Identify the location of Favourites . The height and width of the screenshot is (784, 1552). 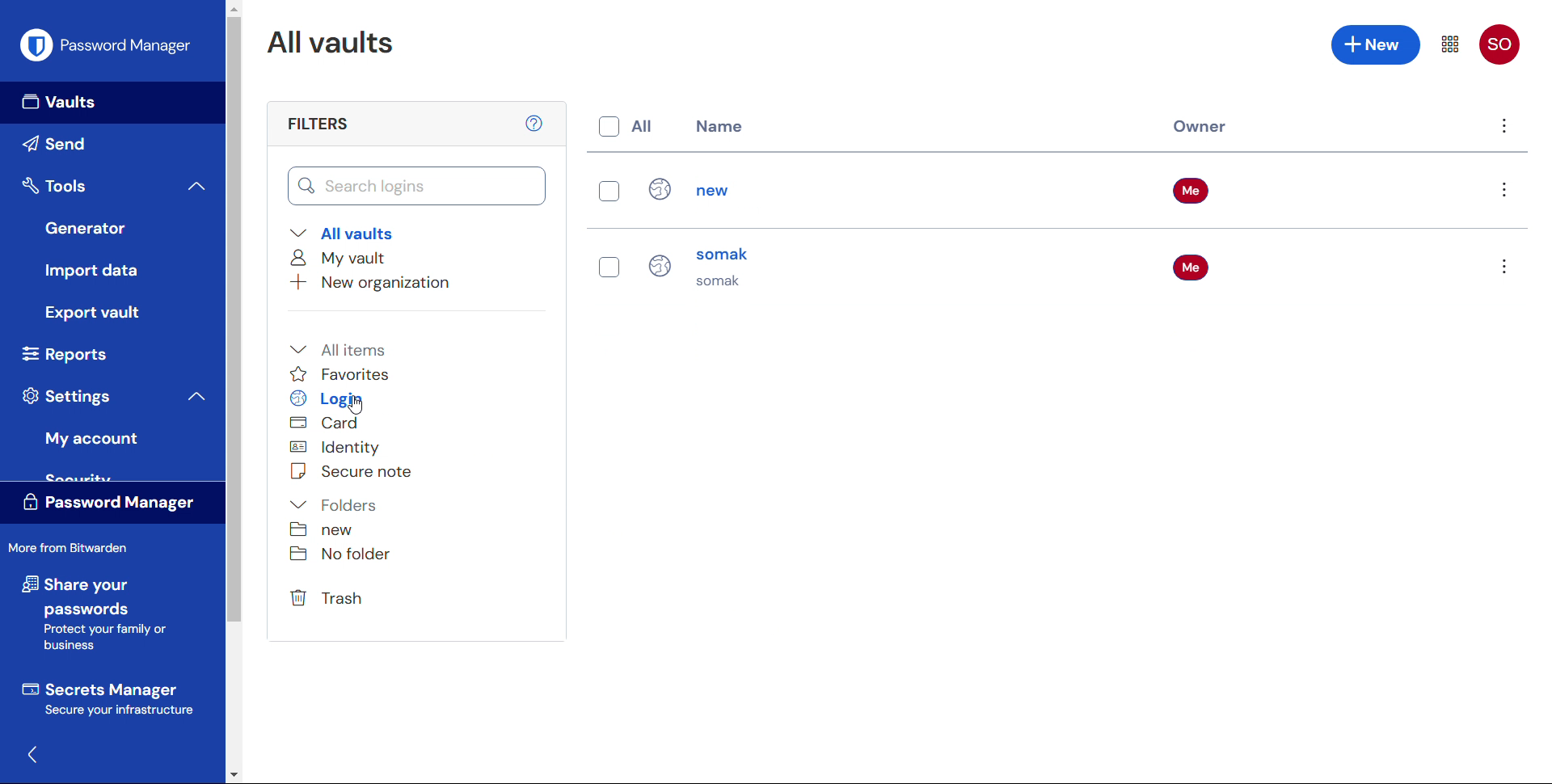
(339, 375).